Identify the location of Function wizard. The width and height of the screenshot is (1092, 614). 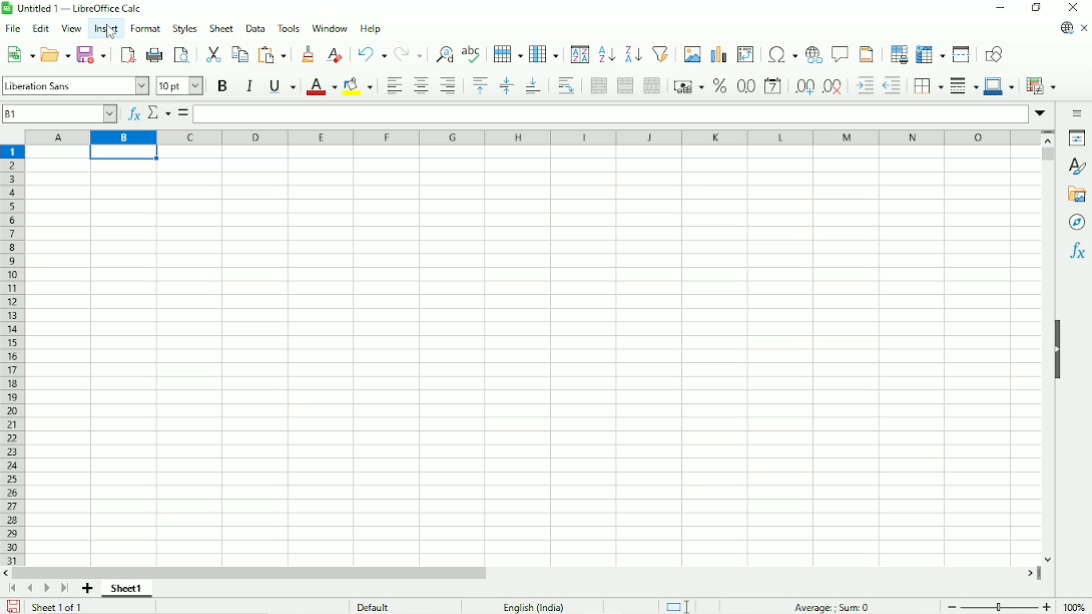
(133, 113).